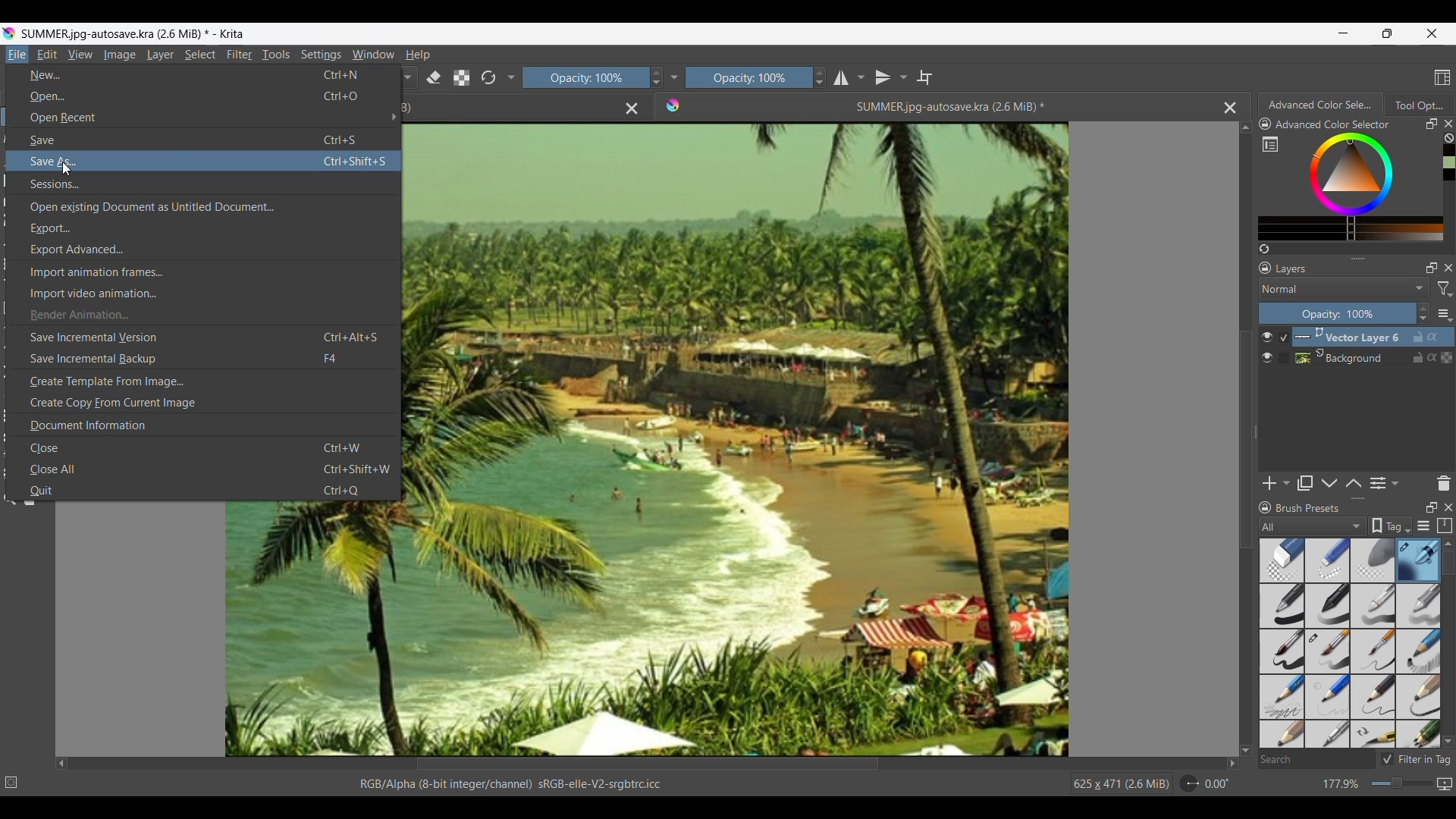 The image size is (1456, 819). Describe the element at coordinates (1448, 268) in the screenshot. I see `Close Layers` at that location.